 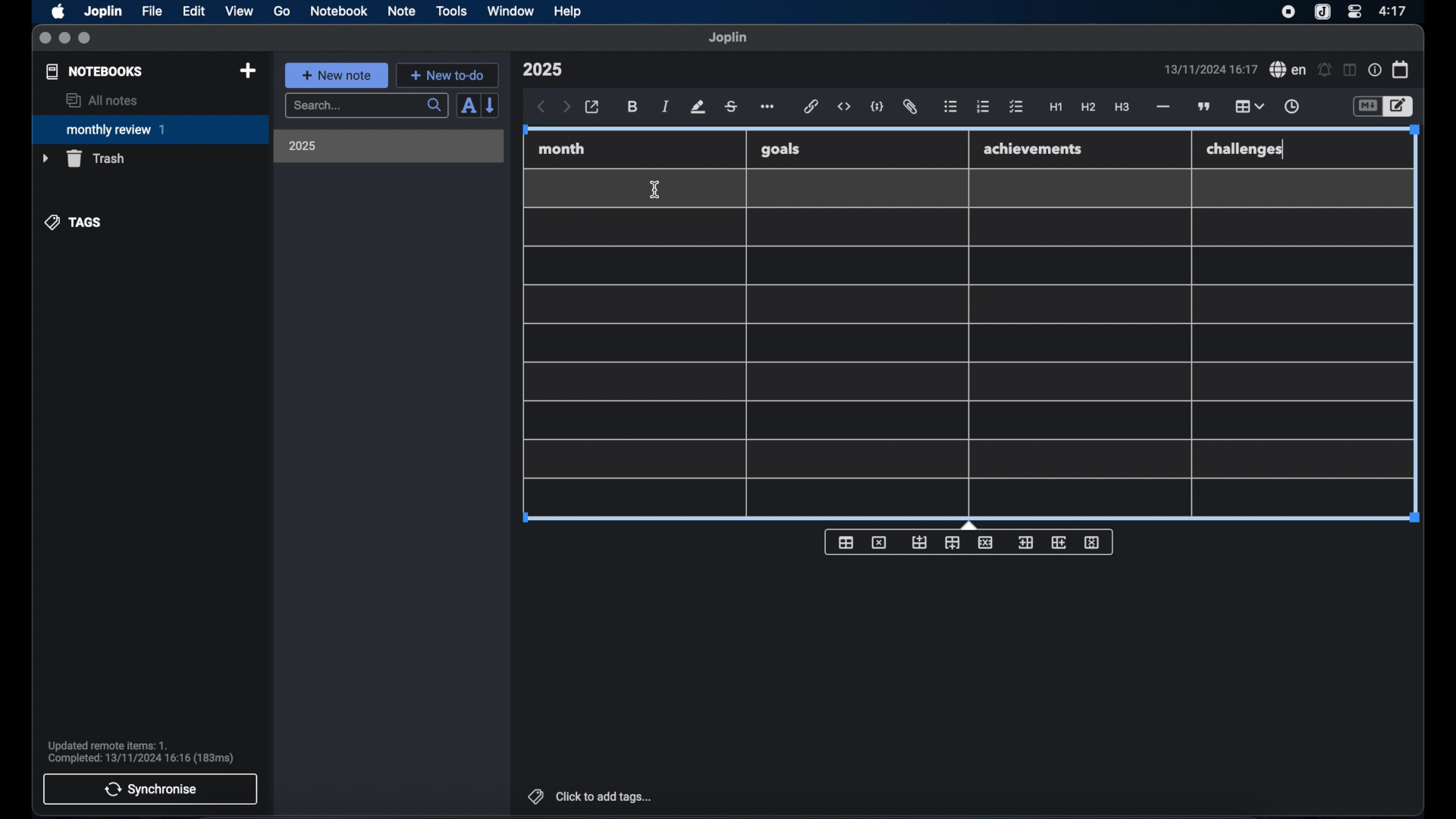 I want to click on go, so click(x=282, y=11).